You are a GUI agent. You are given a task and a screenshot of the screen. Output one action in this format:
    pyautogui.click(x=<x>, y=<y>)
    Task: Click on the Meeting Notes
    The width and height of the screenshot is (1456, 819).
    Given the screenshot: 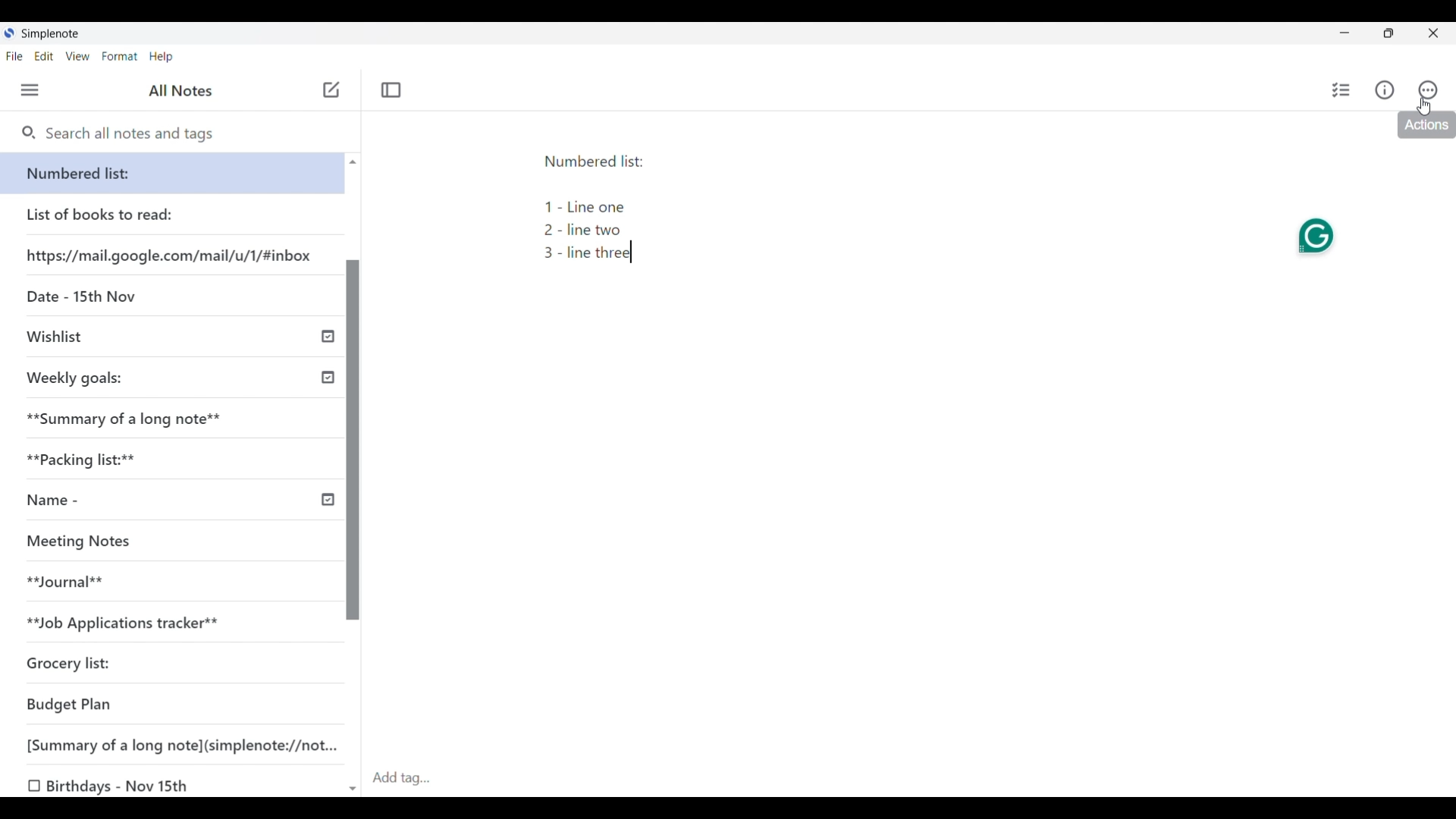 What is the action you would take?
    pyautogui.click(x=97, y=544)
    